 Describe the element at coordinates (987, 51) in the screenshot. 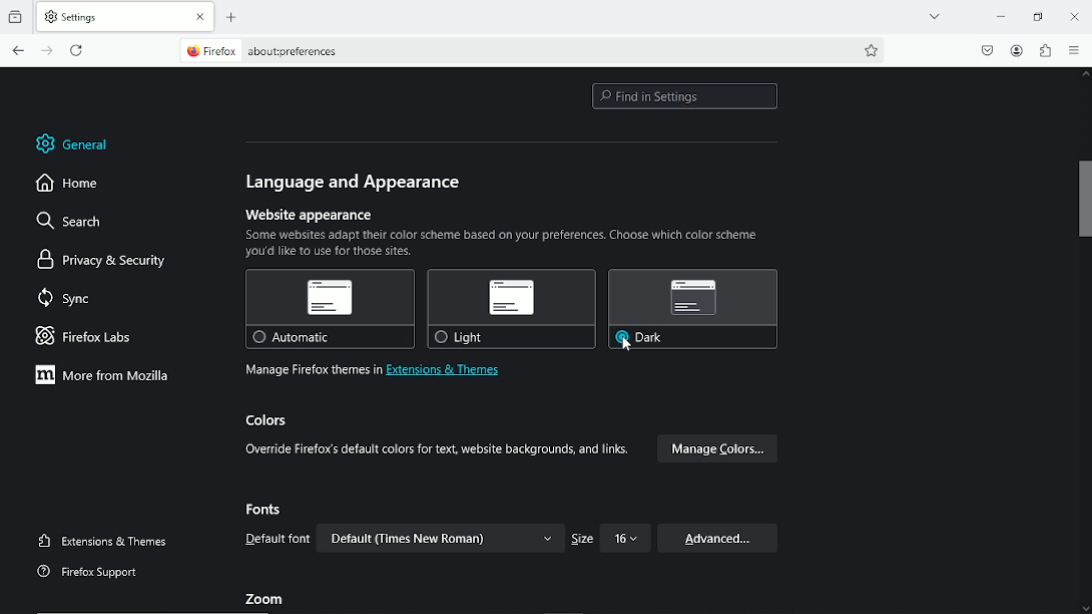

I see `save to pocket` at that location.